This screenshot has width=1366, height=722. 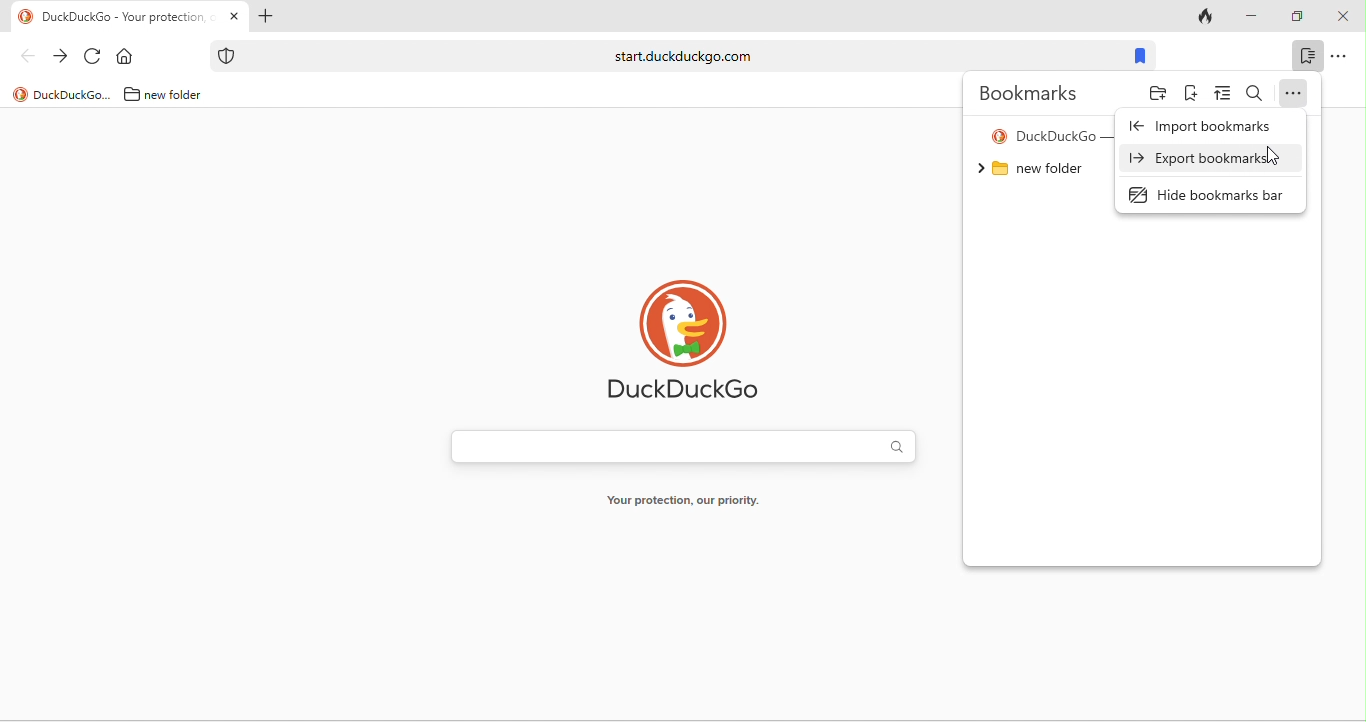 I want to click on new folder, so click(x=1030, y=169).